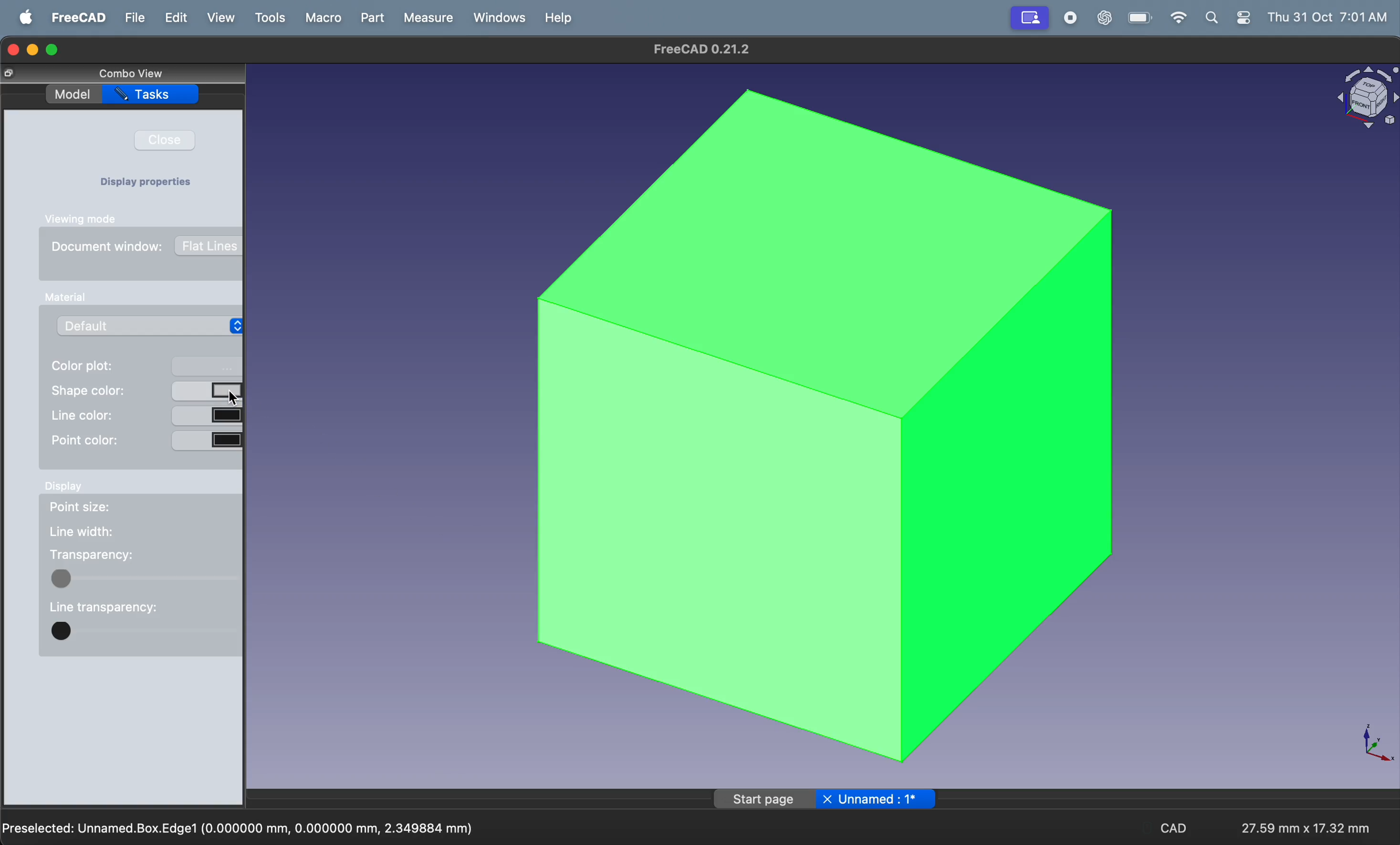  I want to click on close, so click(171, 140).